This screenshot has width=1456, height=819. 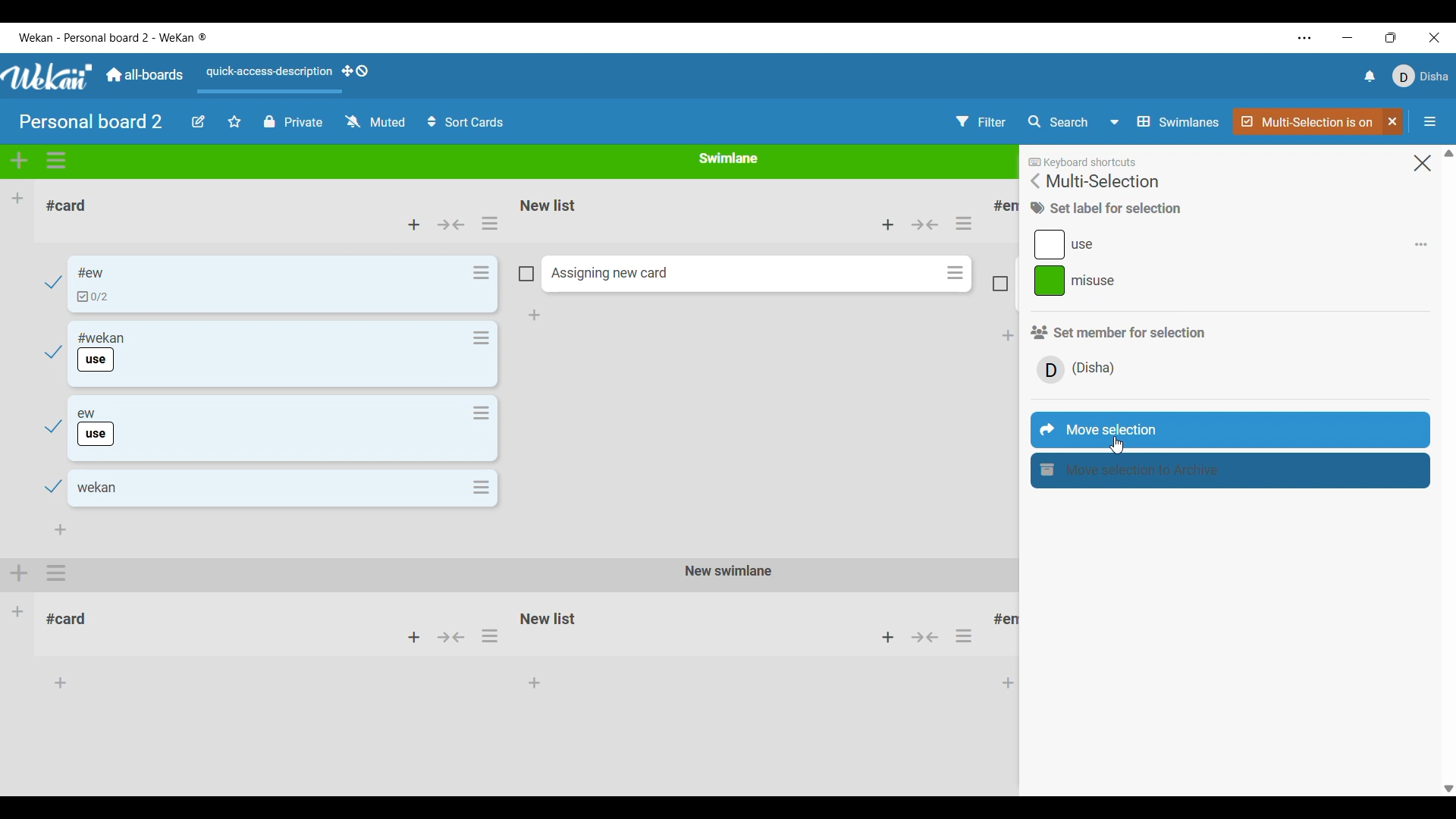 What do you see at coordinates (67, 206) in the screenshot?
I see `List name` at bounding box center [67, 206].